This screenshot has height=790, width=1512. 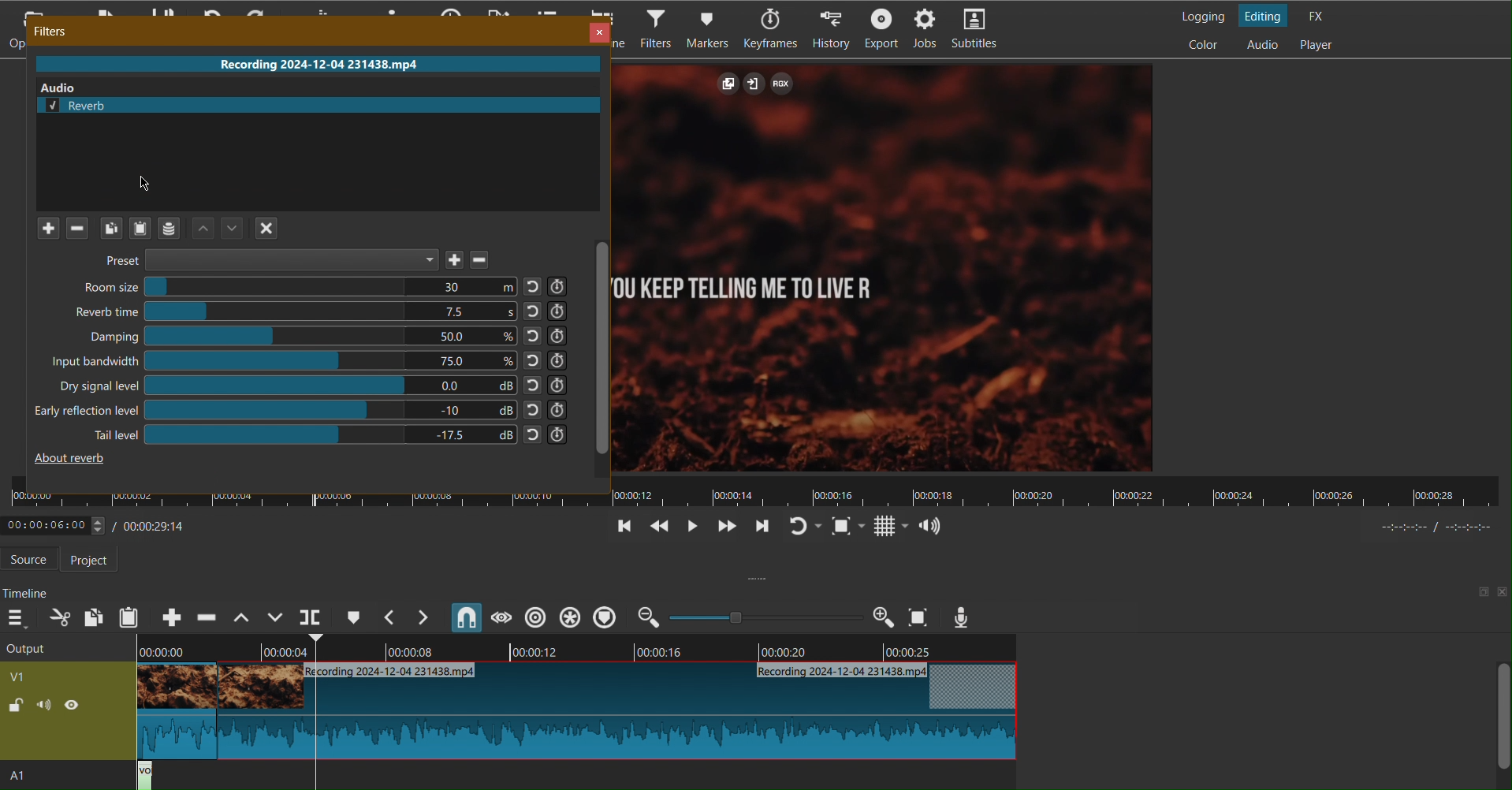 What do you see at coordinates (500, 617) in the screenshot?
I see `Scrub` at bounding box center [500, 617].